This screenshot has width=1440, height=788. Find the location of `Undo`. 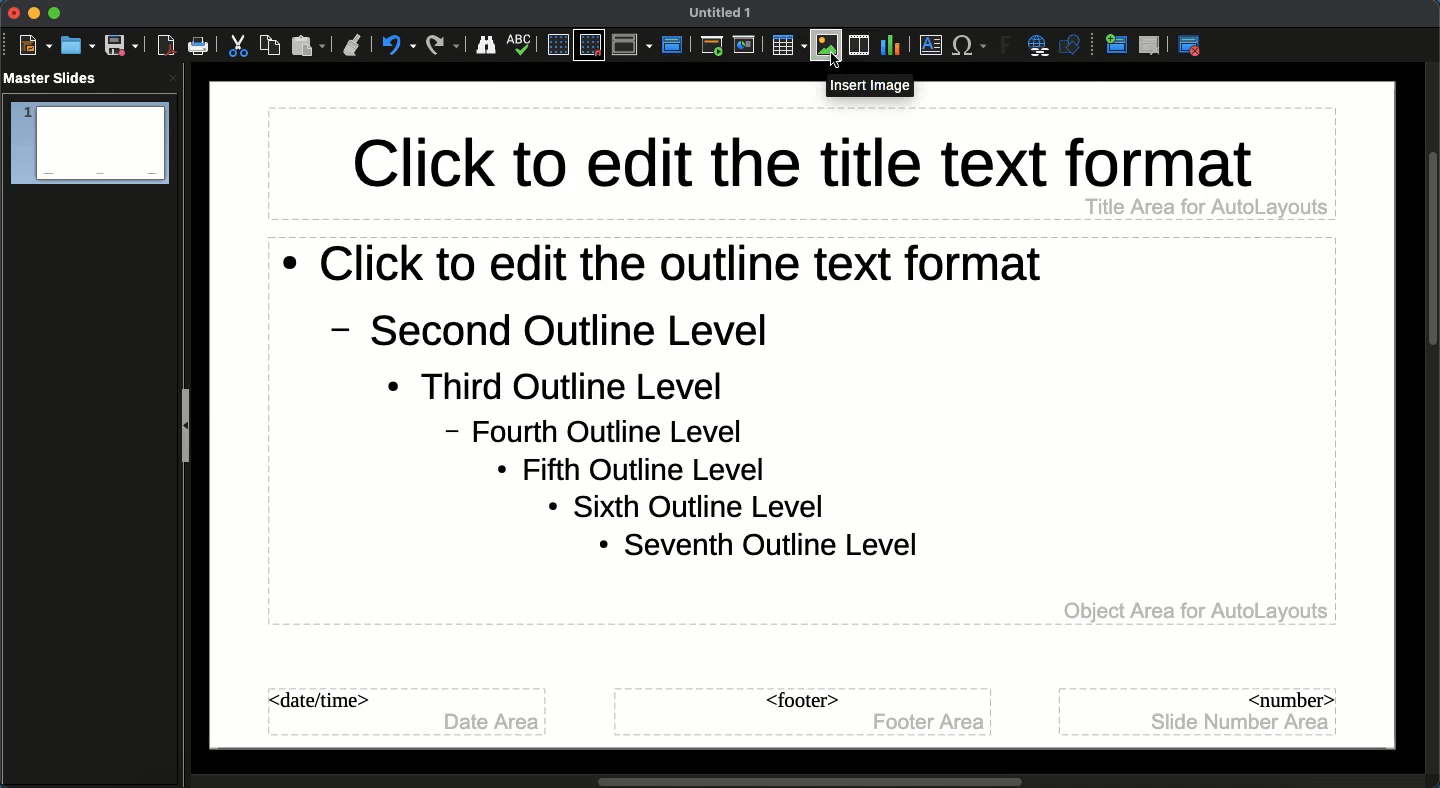

Undo is located at coordinates (399, 45).